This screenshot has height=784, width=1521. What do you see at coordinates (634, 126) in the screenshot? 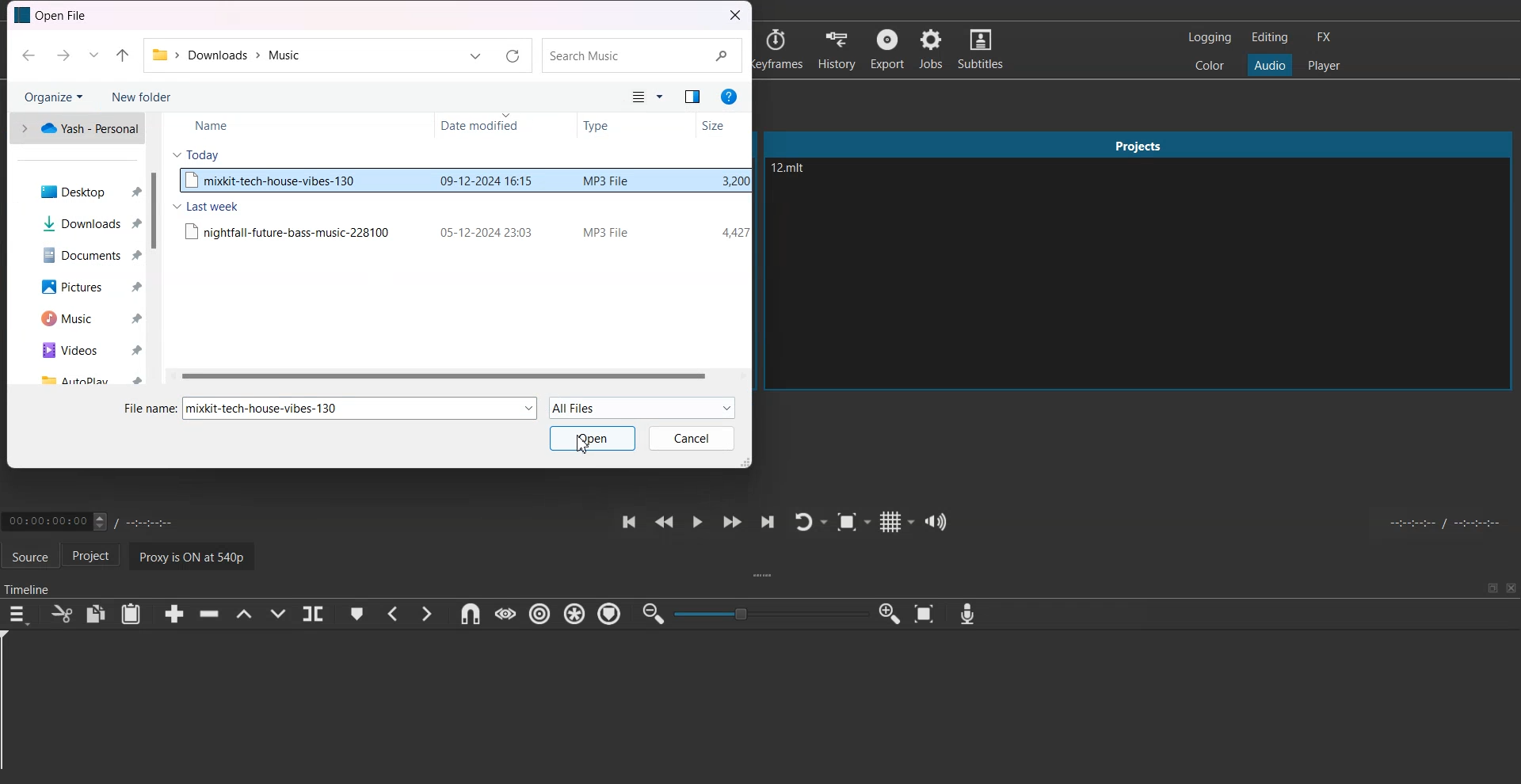
I see `Type` at bounding box center [634, 126].